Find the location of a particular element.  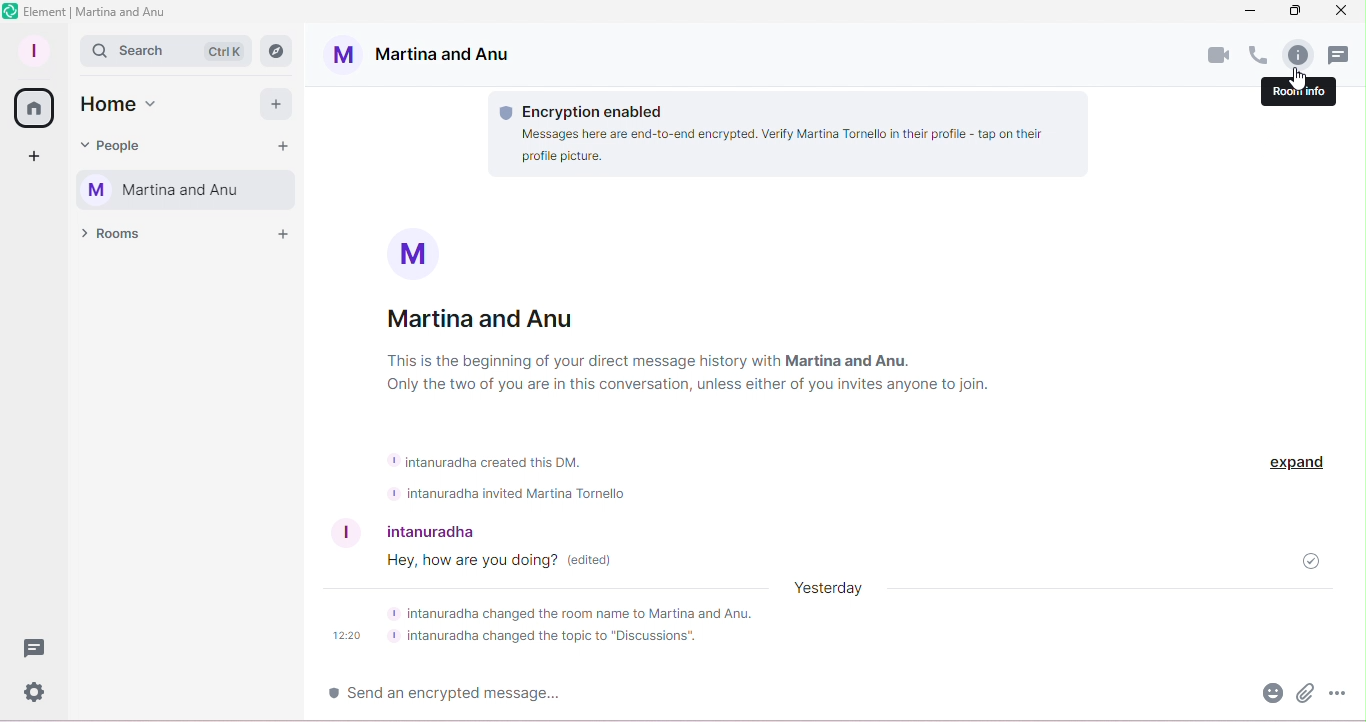

Encryption information is located at coordinates (585, 111).